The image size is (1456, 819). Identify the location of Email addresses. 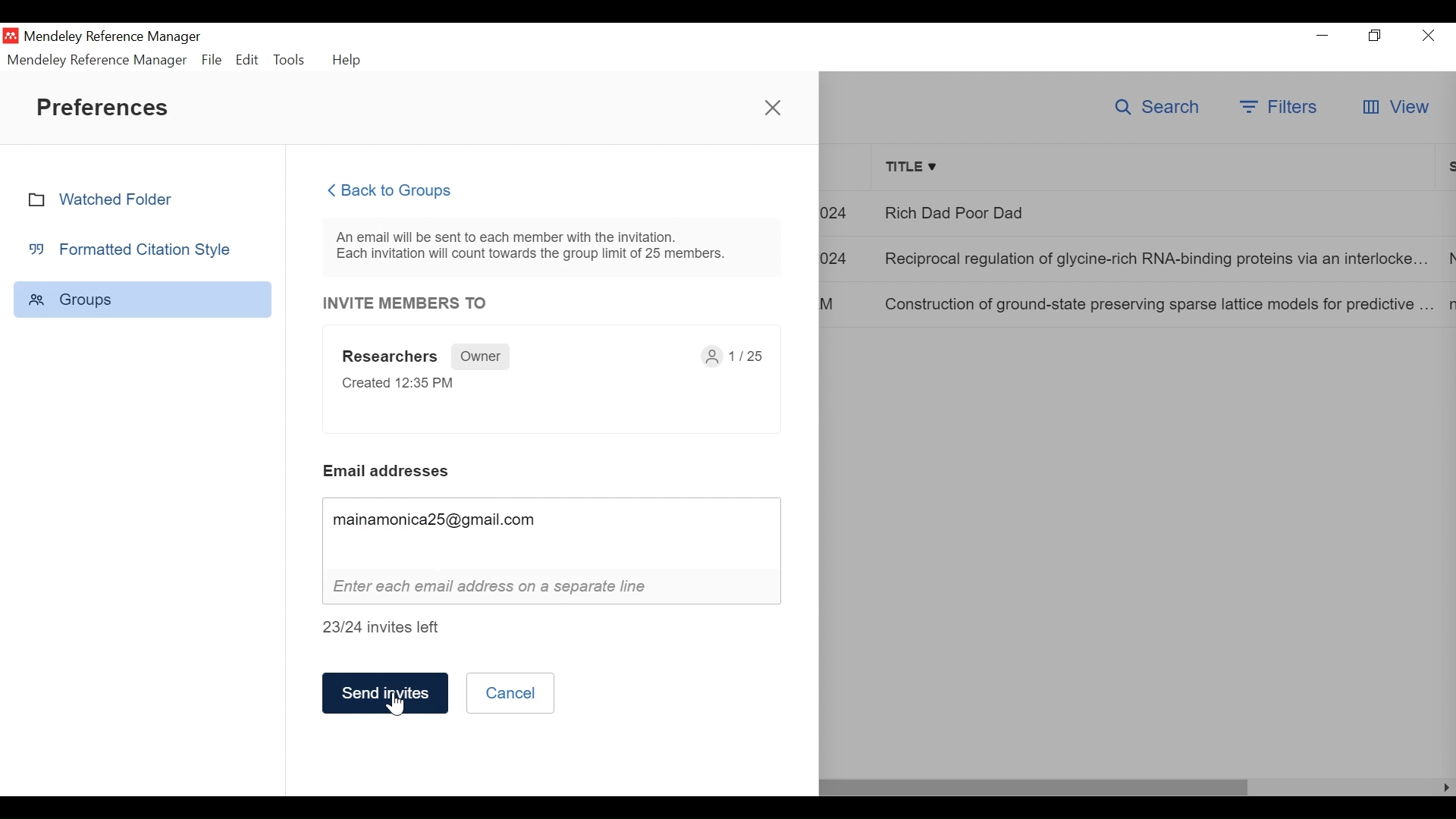
(388, 470).